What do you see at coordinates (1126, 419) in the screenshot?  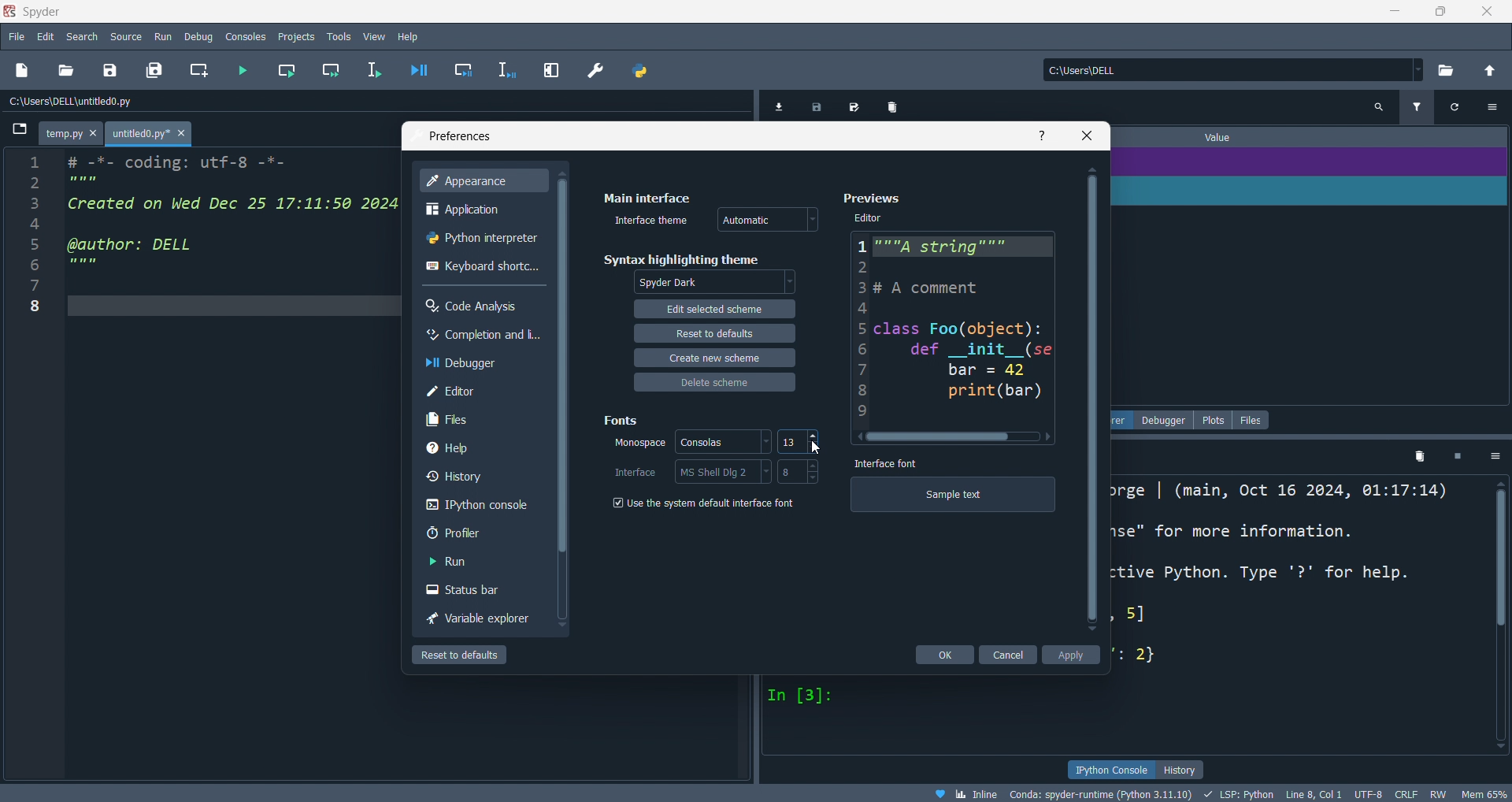 I see `variable explorer` at bounding box center [1126, 419].